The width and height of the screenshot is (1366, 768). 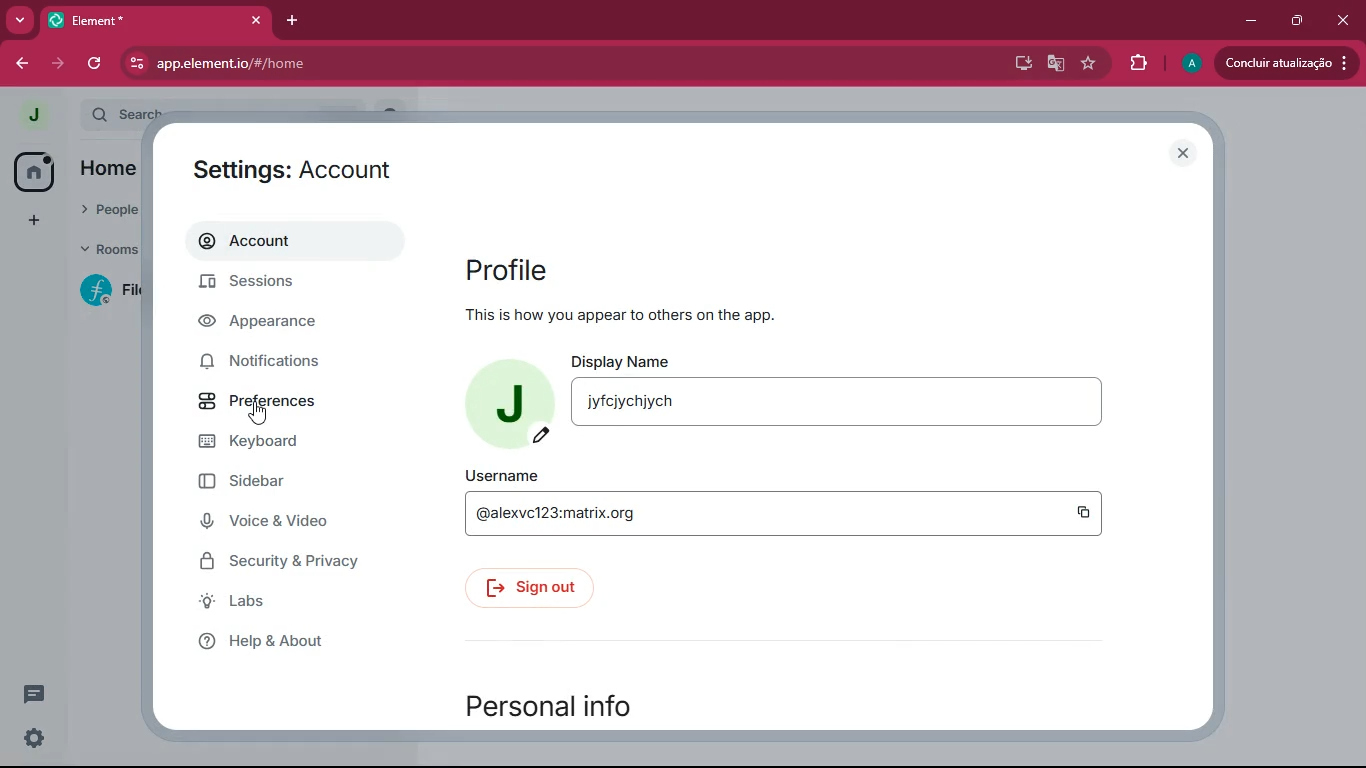 I want to click on minimize, so click(x=1249, y=19).